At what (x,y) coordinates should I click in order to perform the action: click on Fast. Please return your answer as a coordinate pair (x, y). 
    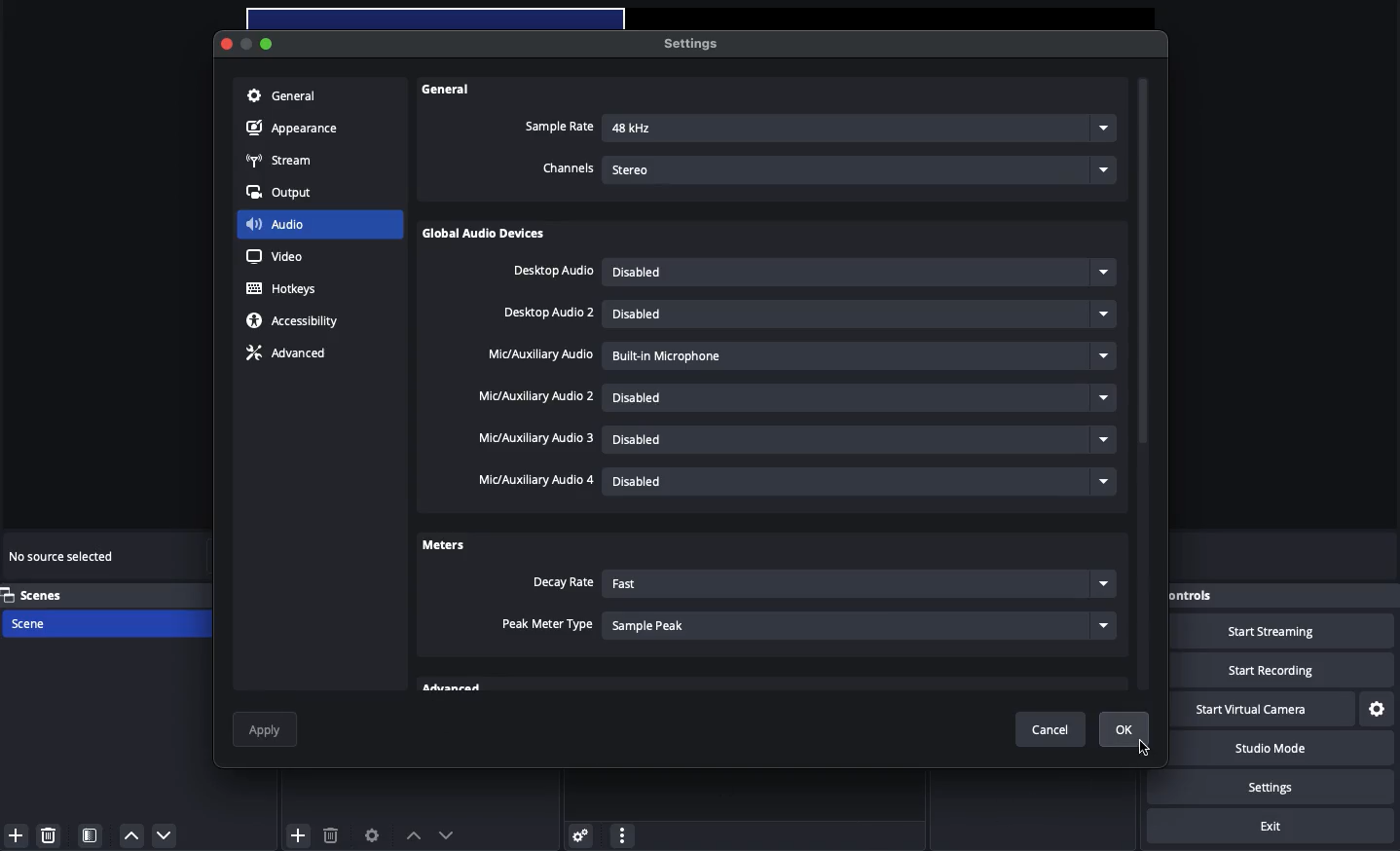
    Looking at the image, I should click on (857, 585).